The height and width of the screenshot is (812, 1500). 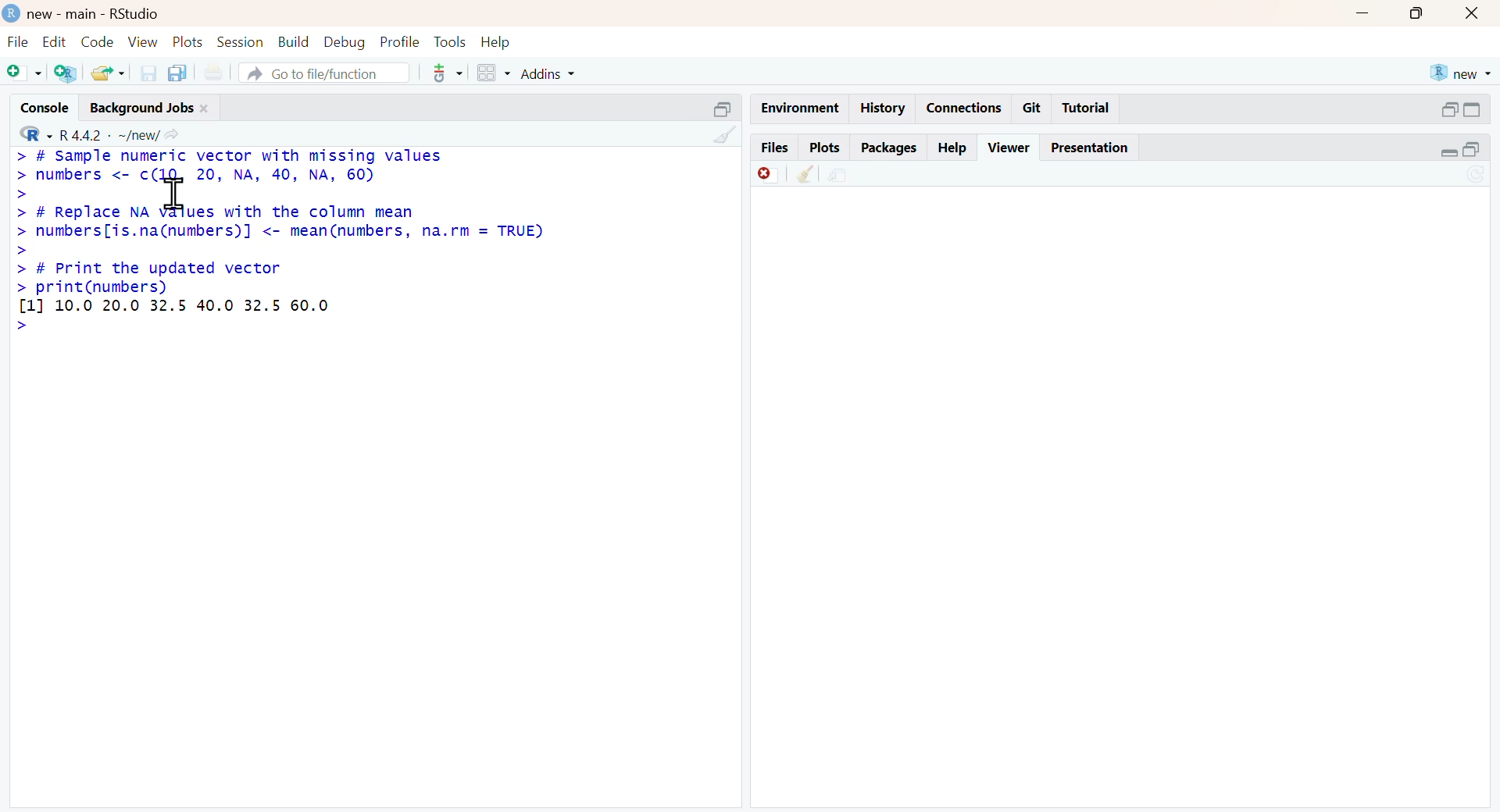 I want to click on open in separate window, so click(x=1451, y=109).